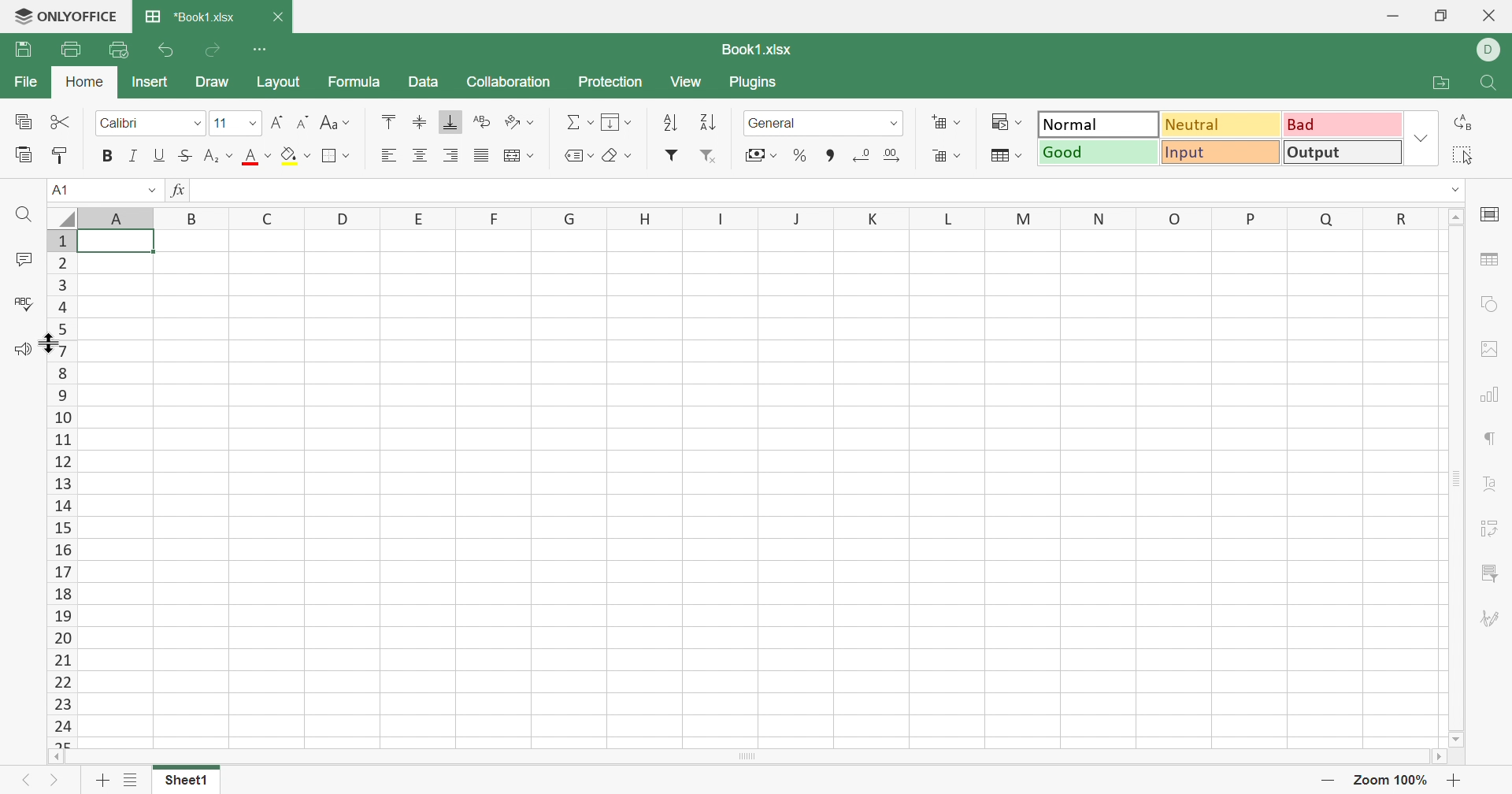 The image size is (1512, 794). What do you see at coordinates (187, 781) in the screenshot?
I see `Sheet1` at bounding box center [187, 781].